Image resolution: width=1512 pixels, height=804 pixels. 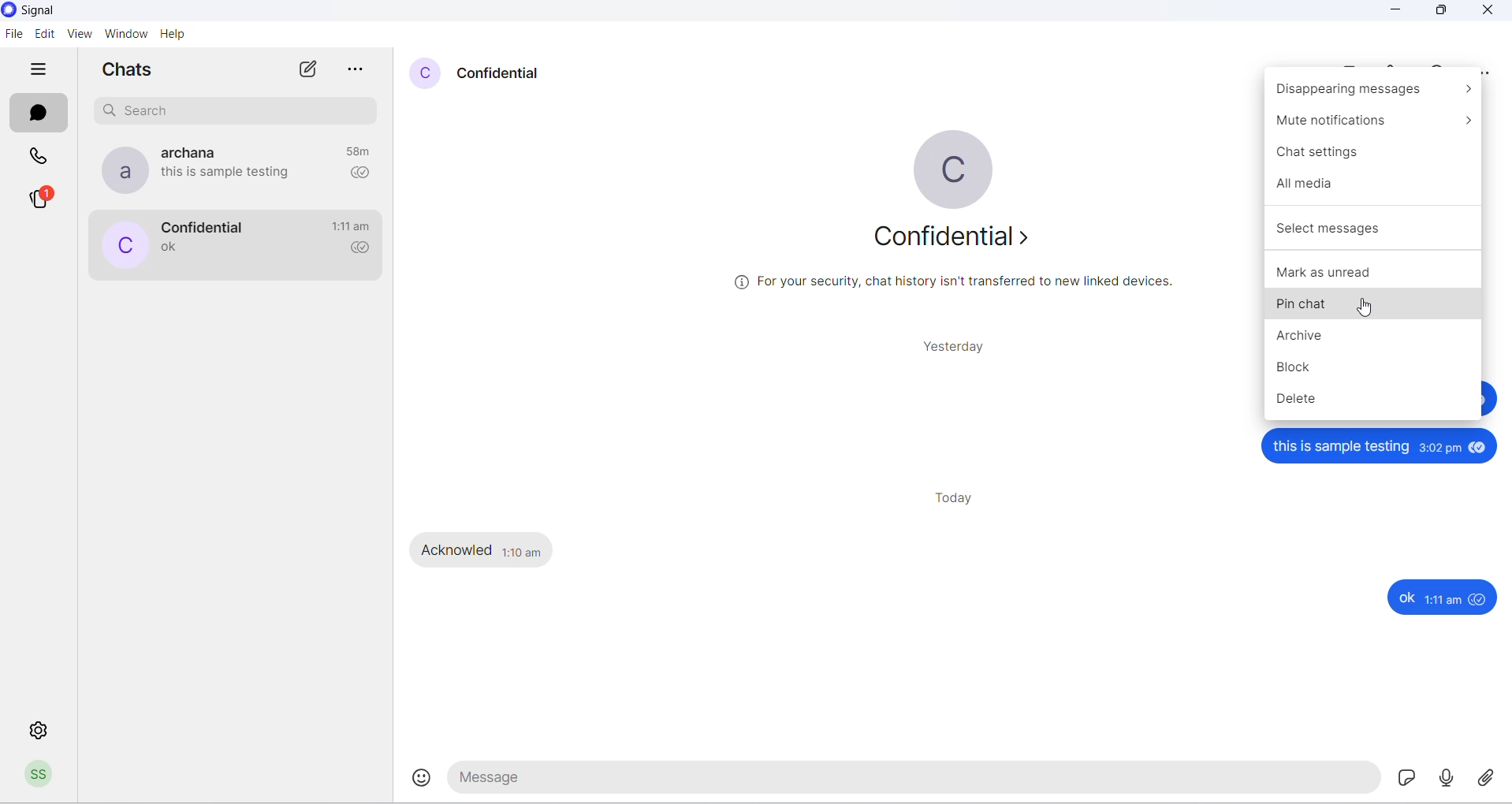 I want to click on share attachment, so click(x=1492, y=780).